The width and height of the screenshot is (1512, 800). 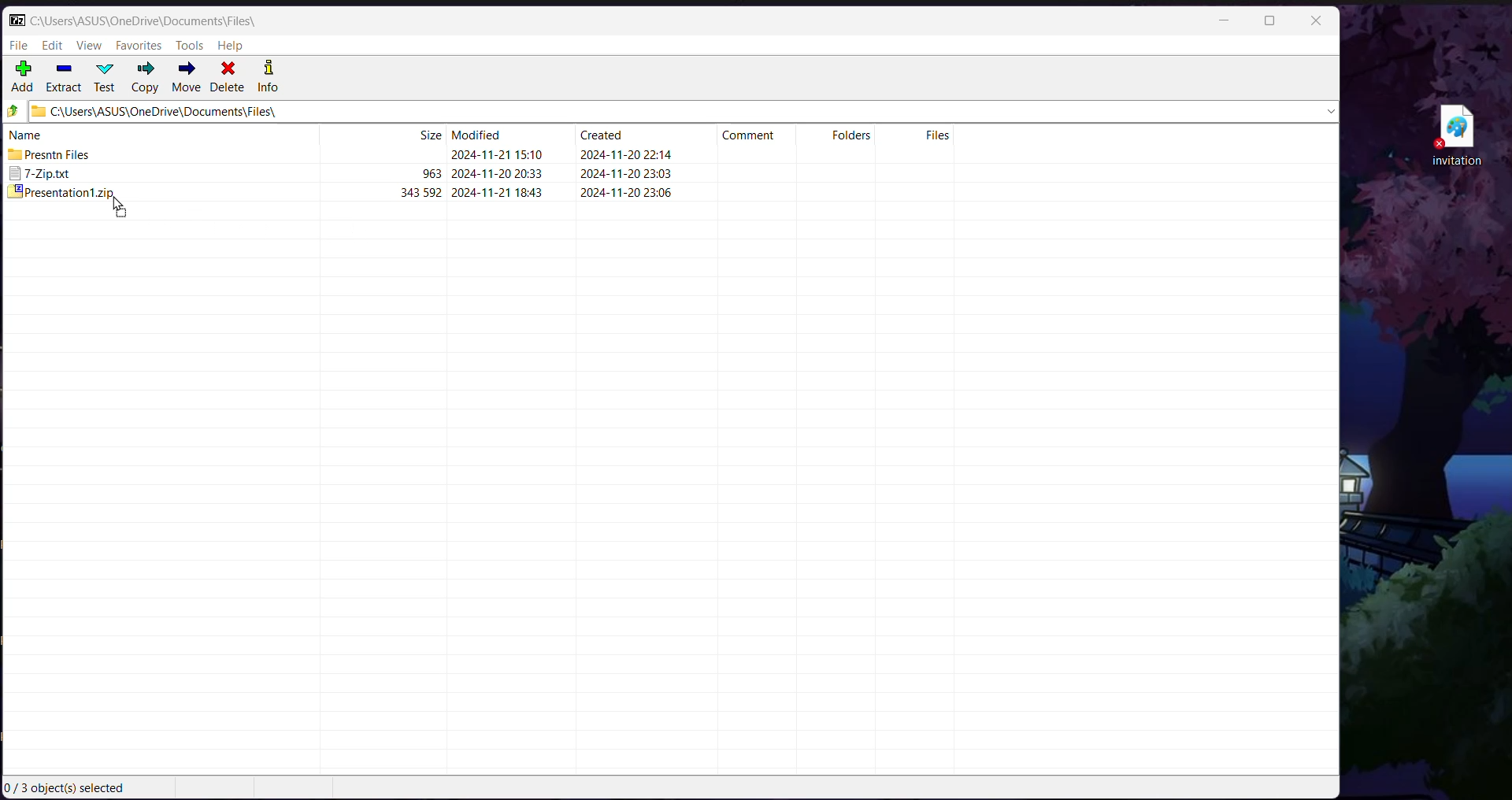 I want to click on File on Desktop, so click(x=1454, y=135).